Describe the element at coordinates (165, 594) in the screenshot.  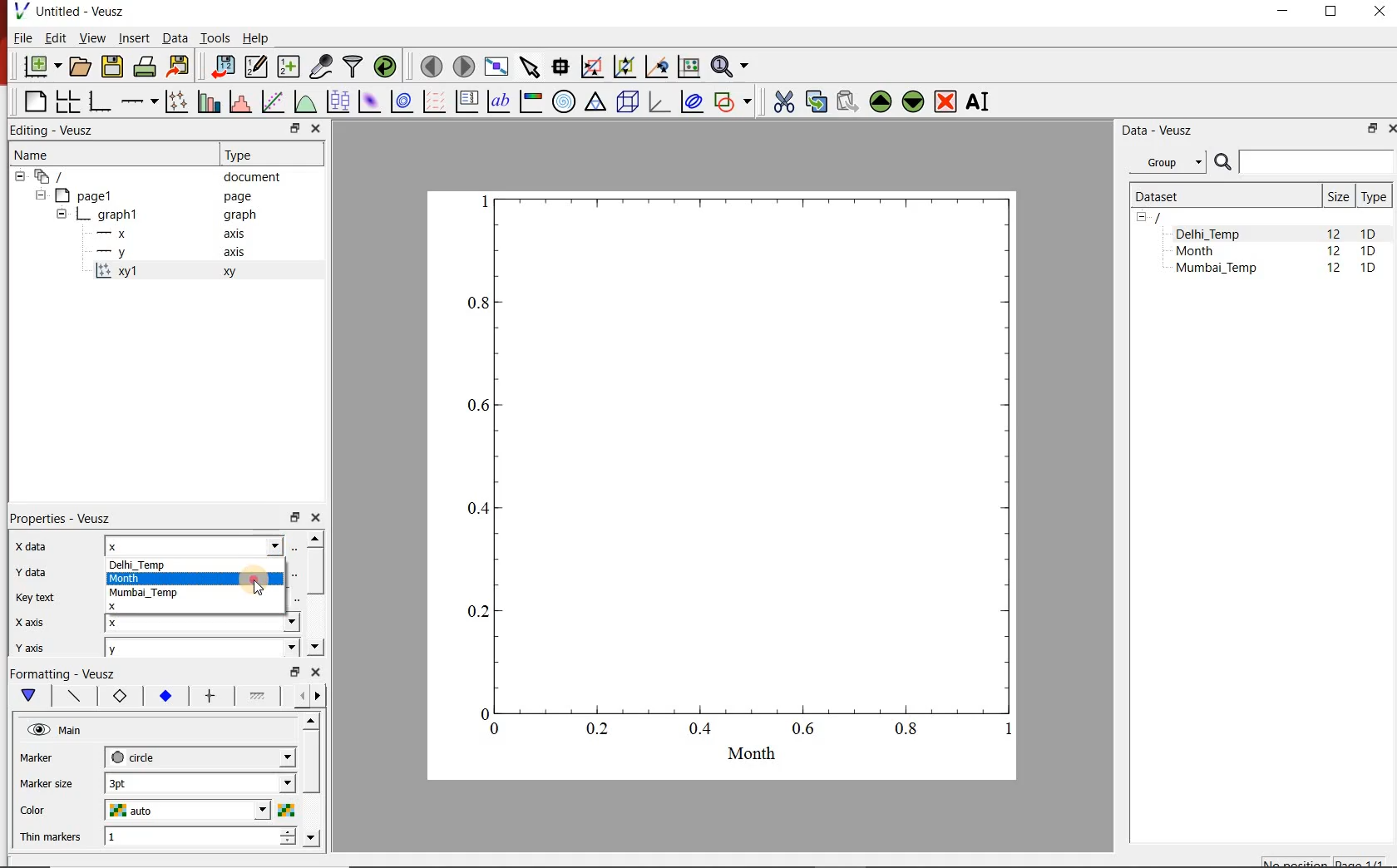
I see `Mumbai_Temp` at that location.